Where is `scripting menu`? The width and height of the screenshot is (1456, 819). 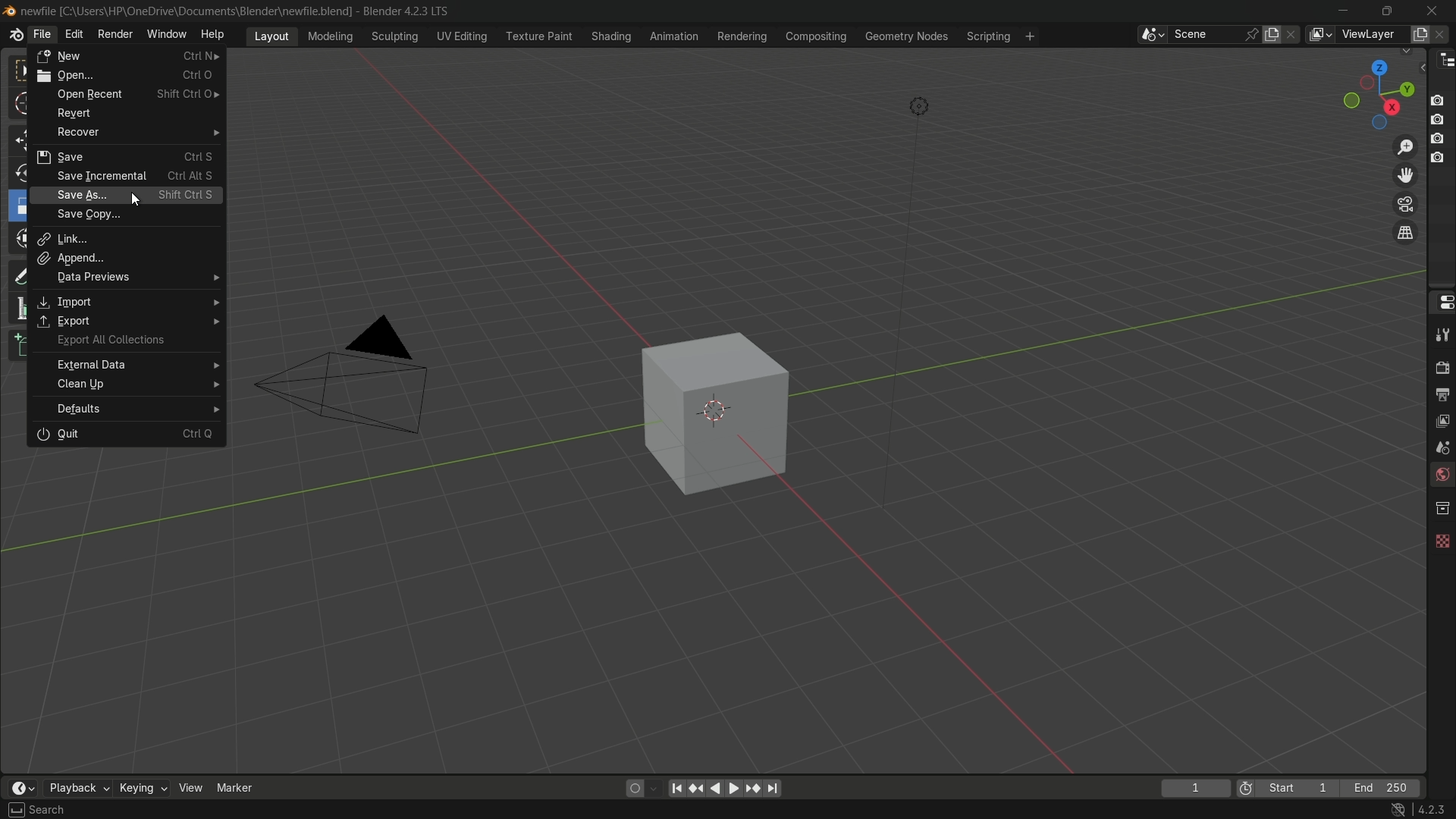
scripting menu is located at coordinates (987, 36).